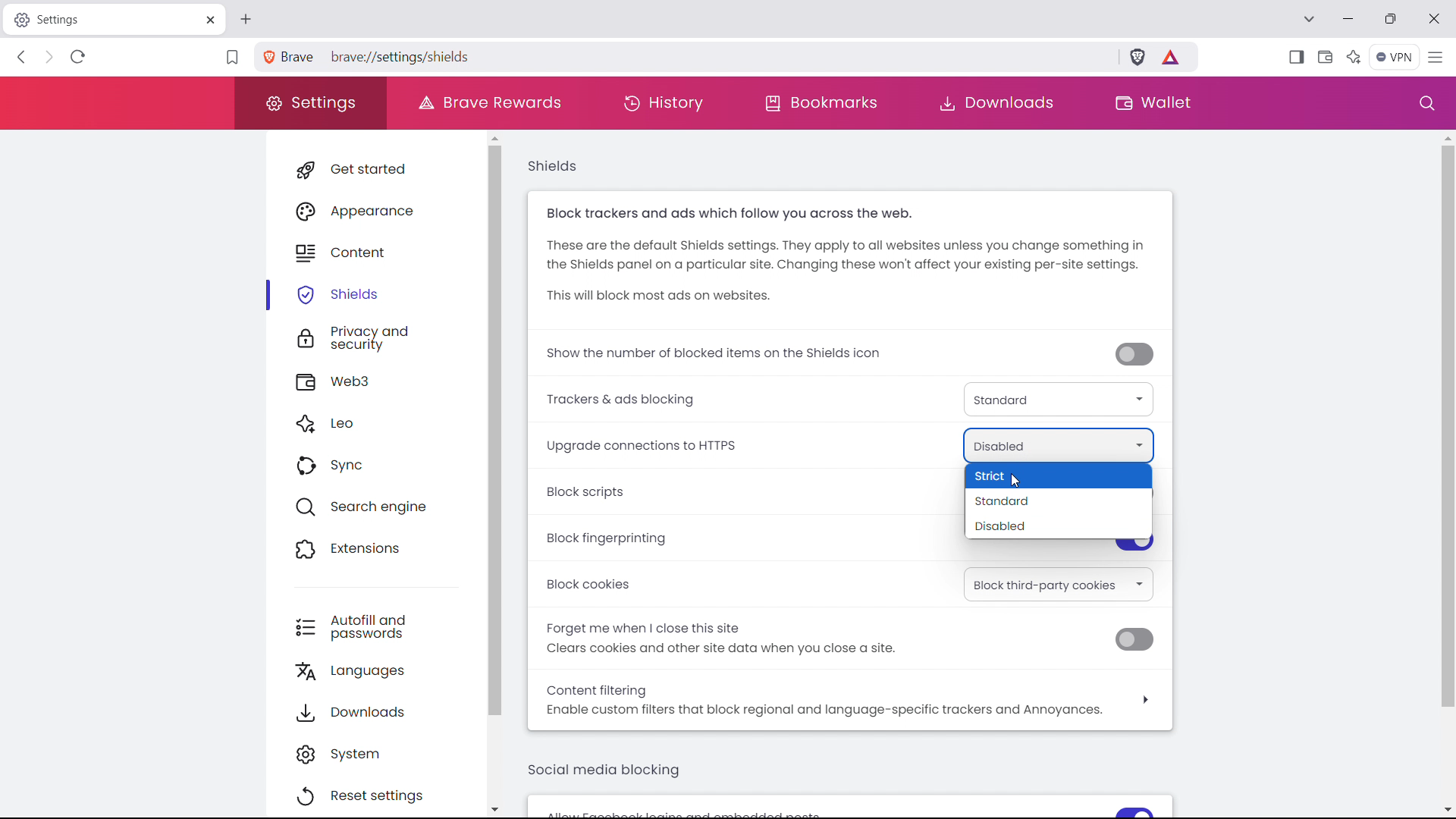  I want to click on scrollbar, so click(1447, 426).